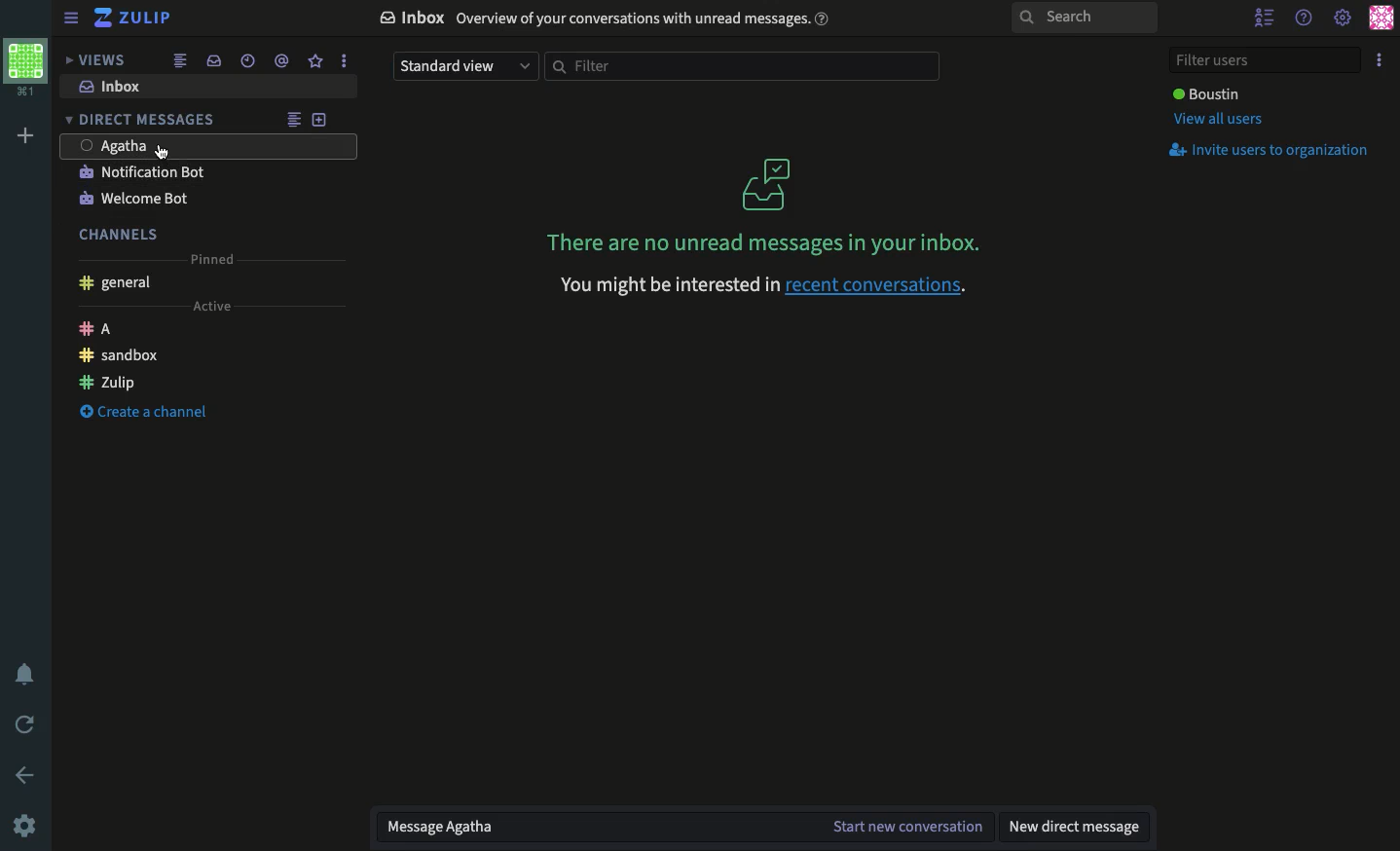 This screenshot has height=851, width=1400. What do you see at coordinates (211, 309) in the screenshot?
I see `Active` at bounding box center [211, 309].